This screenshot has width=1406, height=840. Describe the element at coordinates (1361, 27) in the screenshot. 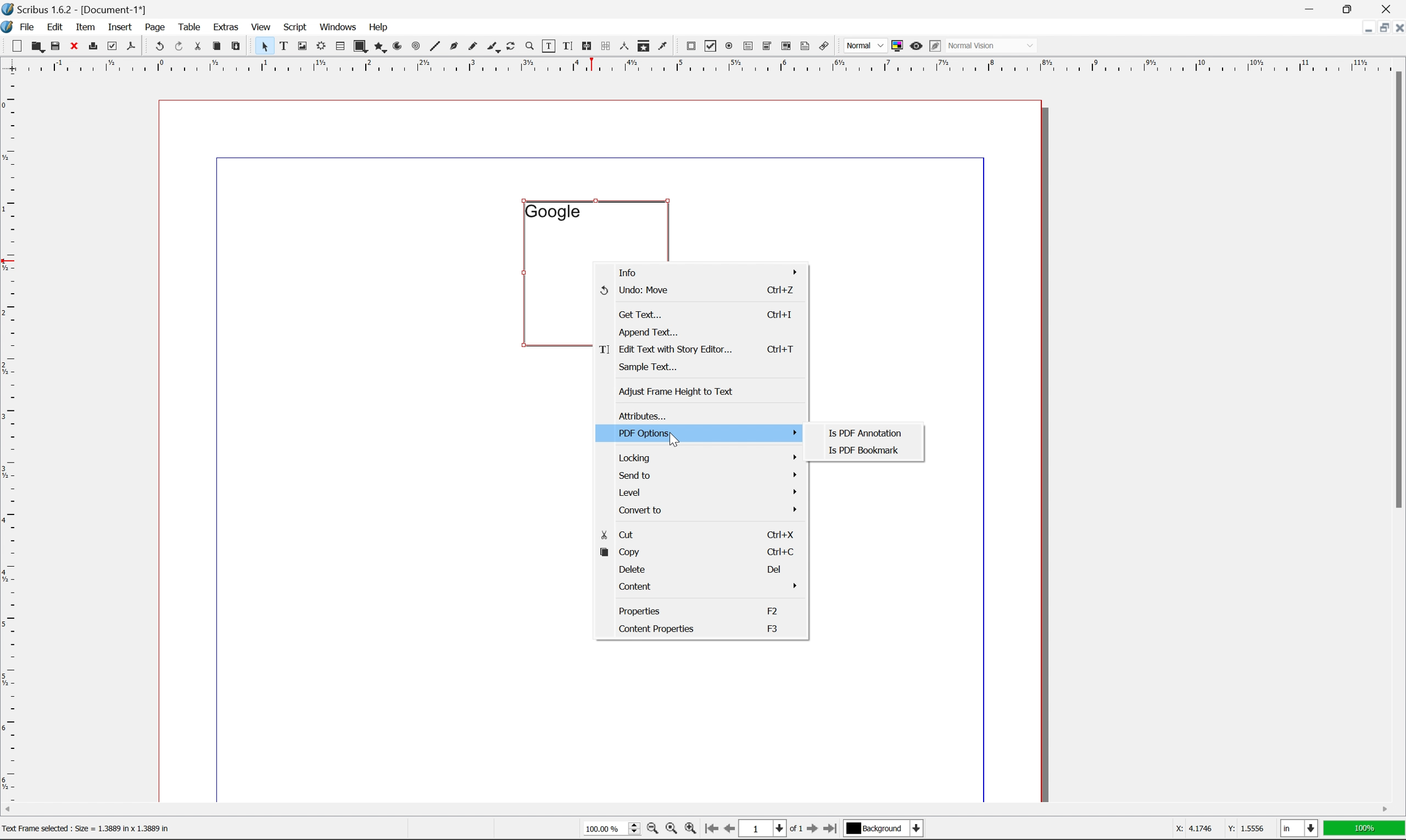

I see `minimize` at that location.